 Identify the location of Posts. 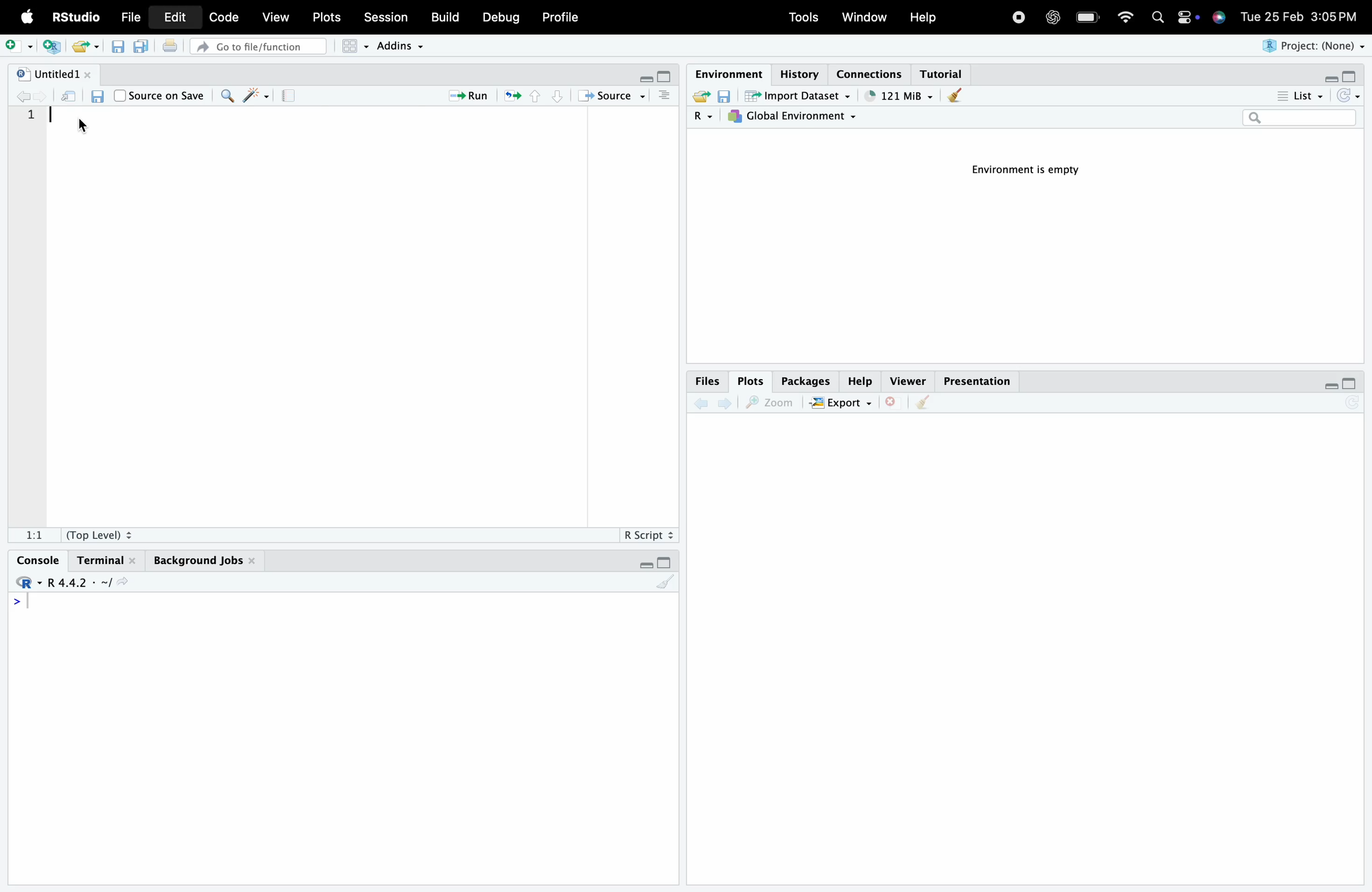
(328, 18).